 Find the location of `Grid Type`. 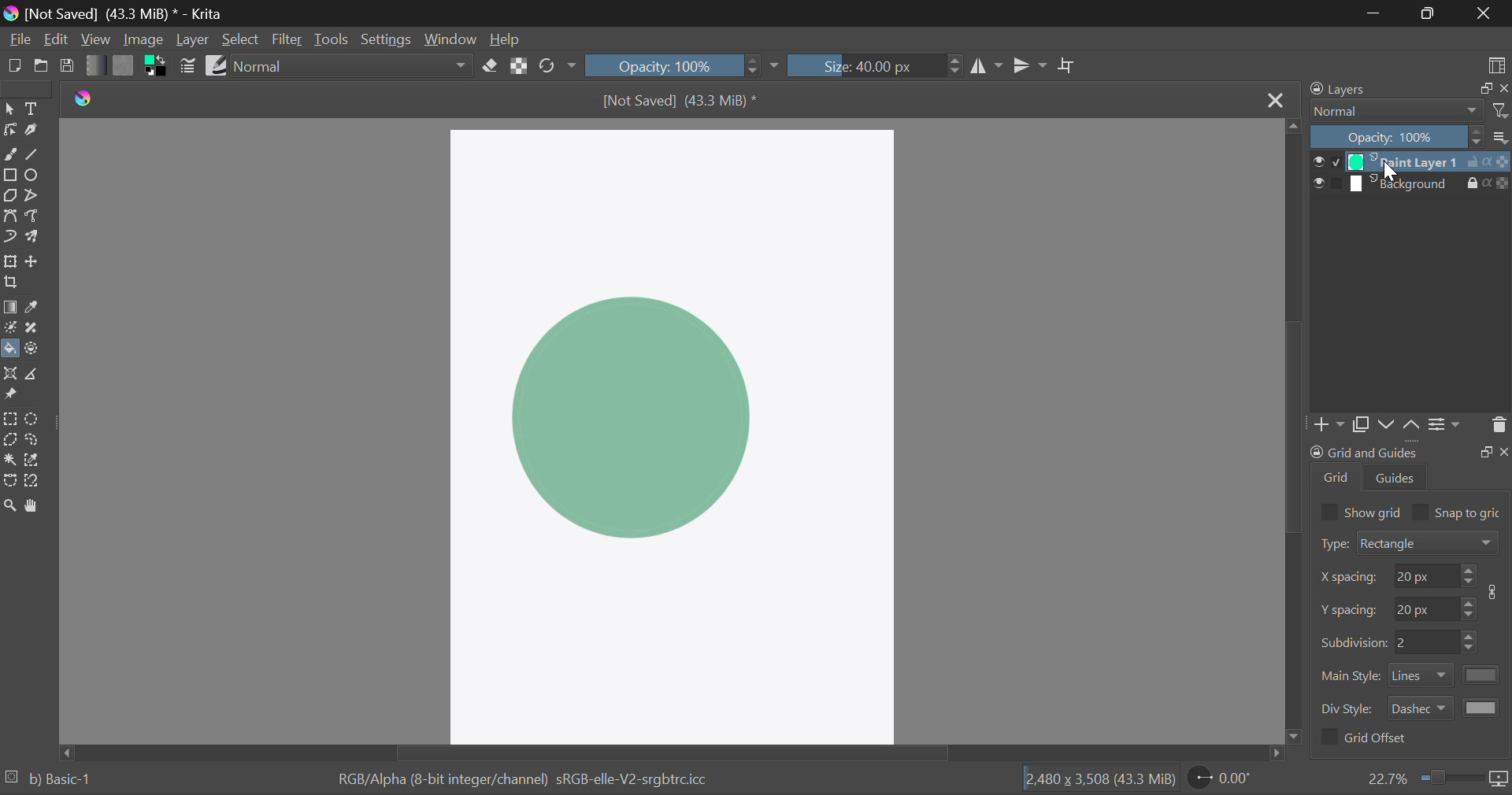

Grid Type is located at coordinates (1411, 545).